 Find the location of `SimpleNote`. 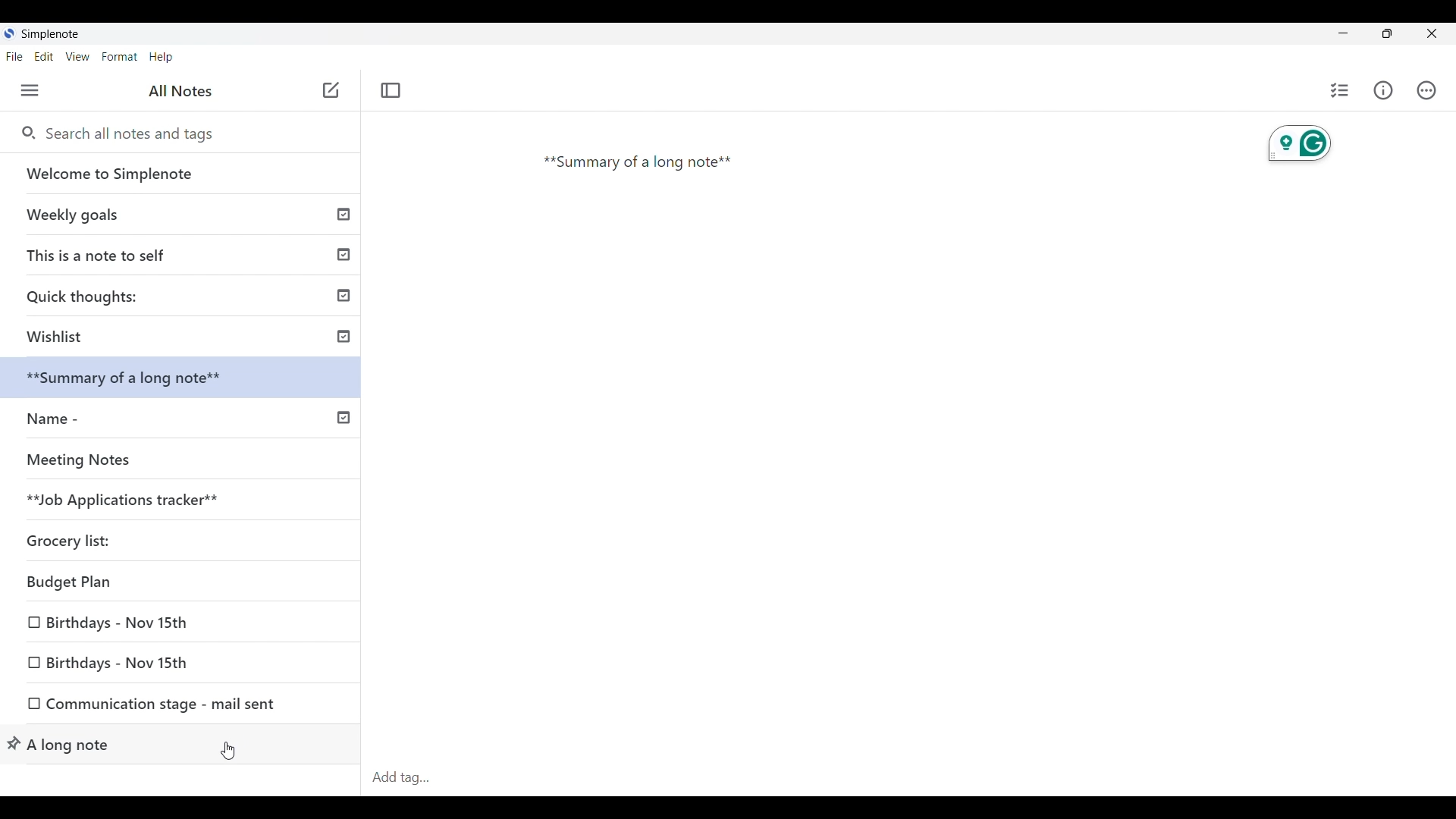

SimpleNote is located at coordinates (46, 33).